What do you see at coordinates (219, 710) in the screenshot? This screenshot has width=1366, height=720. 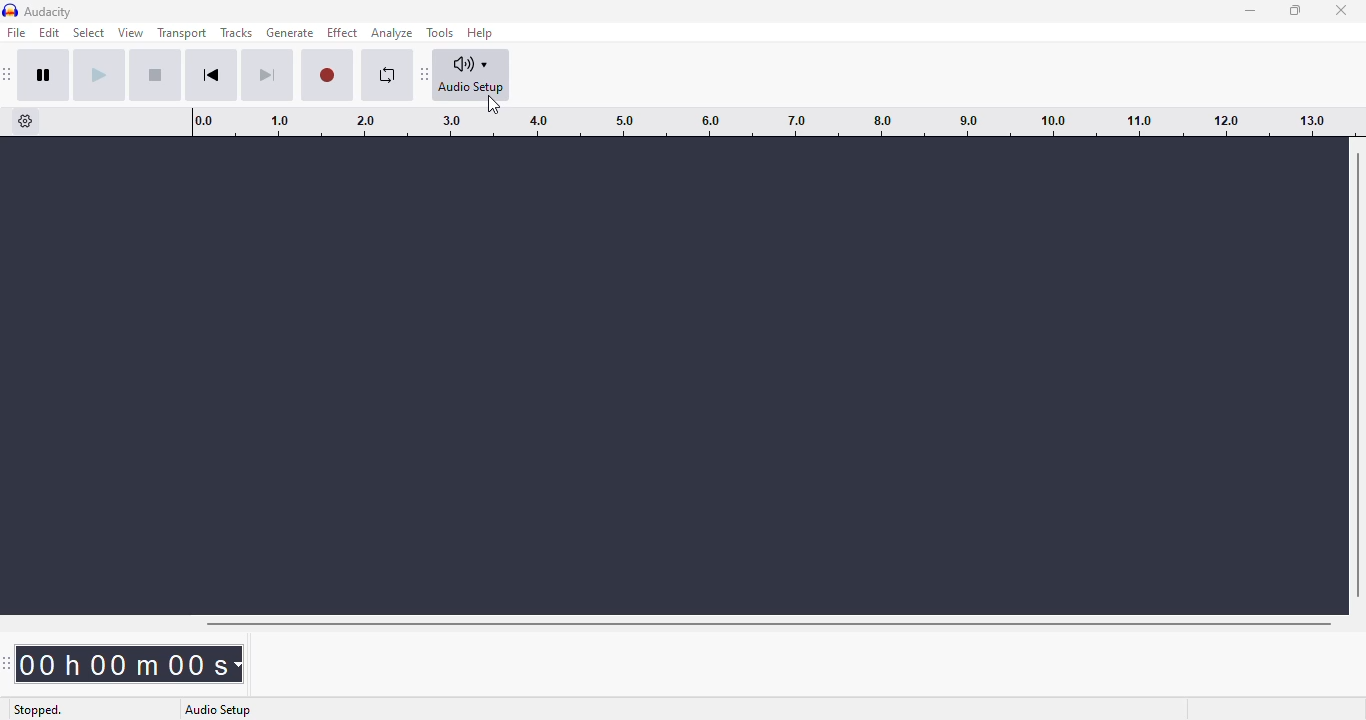 I see `audio setup` at bounding box center [219, 710].